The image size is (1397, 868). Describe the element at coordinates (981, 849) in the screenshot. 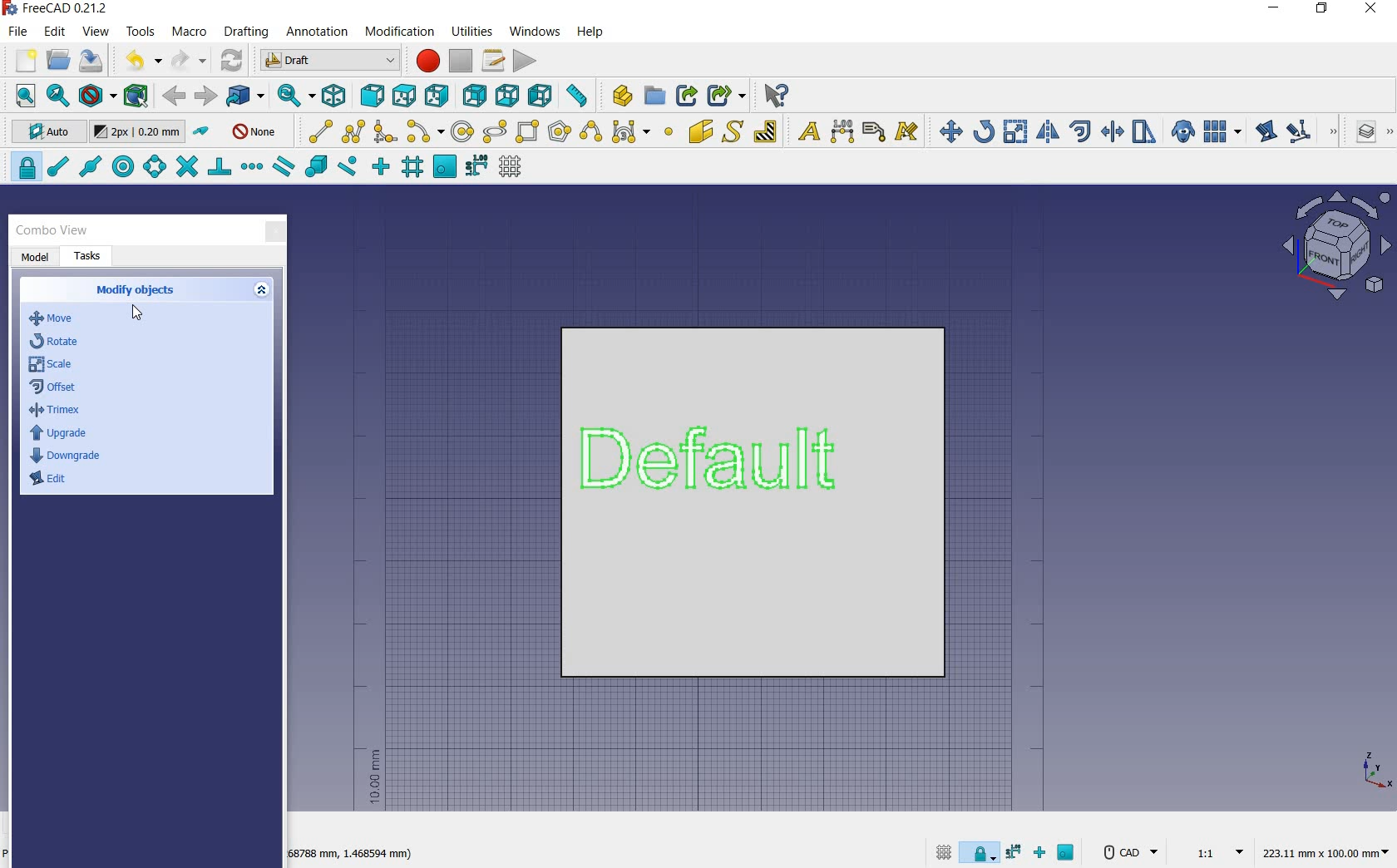

I see `snap lock` at that location.